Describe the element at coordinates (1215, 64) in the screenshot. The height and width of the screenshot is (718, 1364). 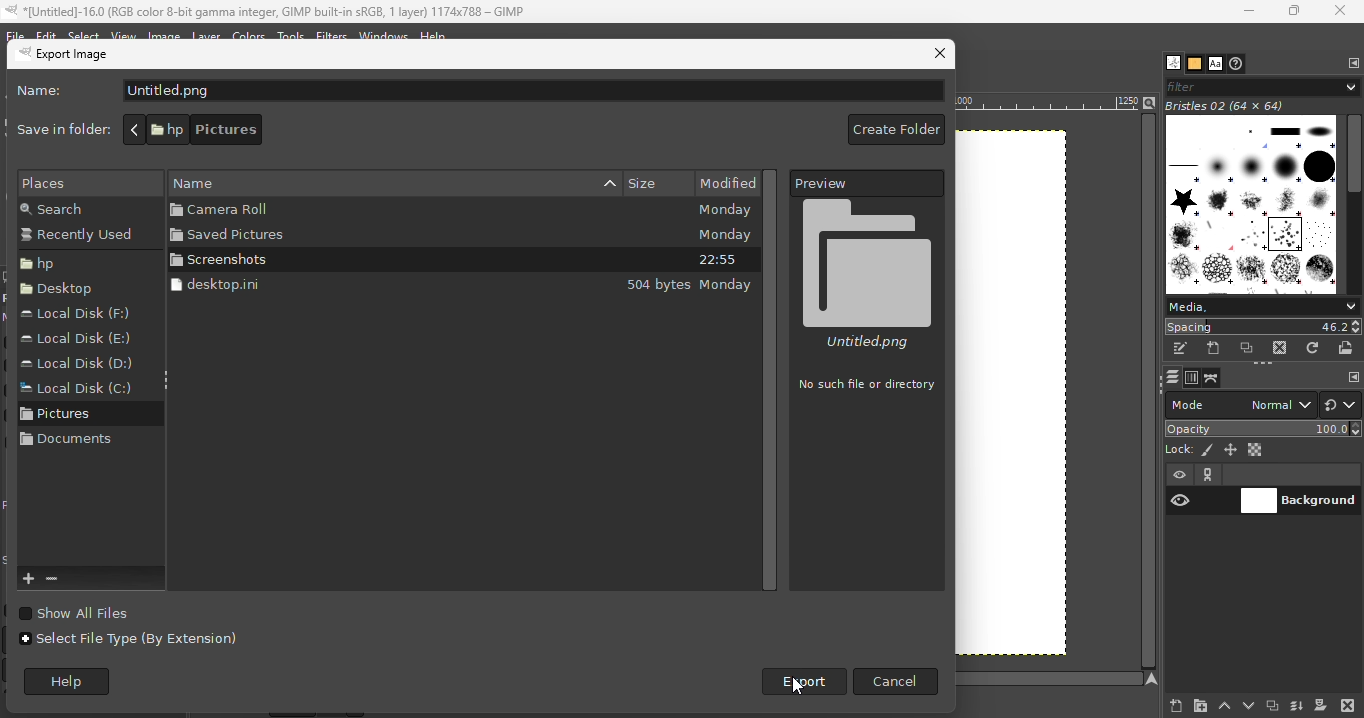
I see `Fonts` at that location.